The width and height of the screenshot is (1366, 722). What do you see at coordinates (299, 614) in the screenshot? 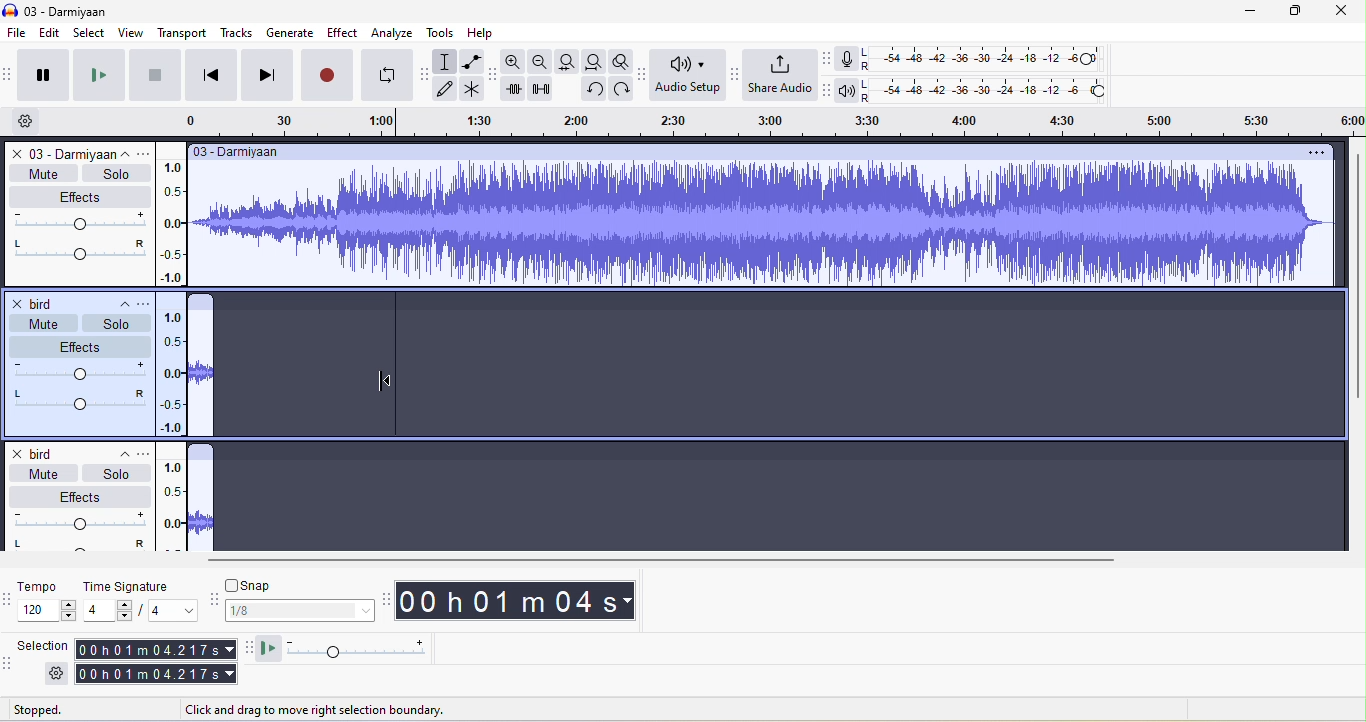
I see `1/8` at bounding box center [299, 614].